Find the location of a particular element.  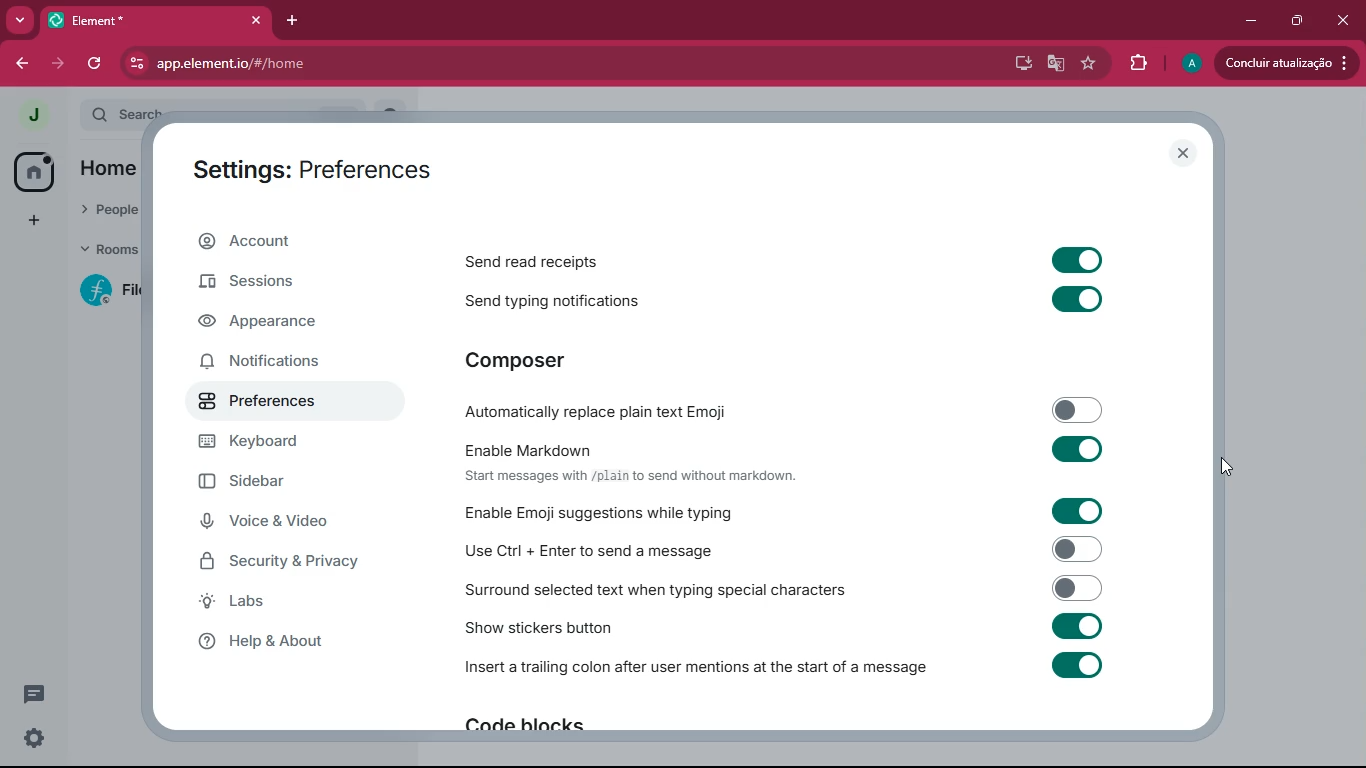

cursor is located at coordinates (1228, 467).